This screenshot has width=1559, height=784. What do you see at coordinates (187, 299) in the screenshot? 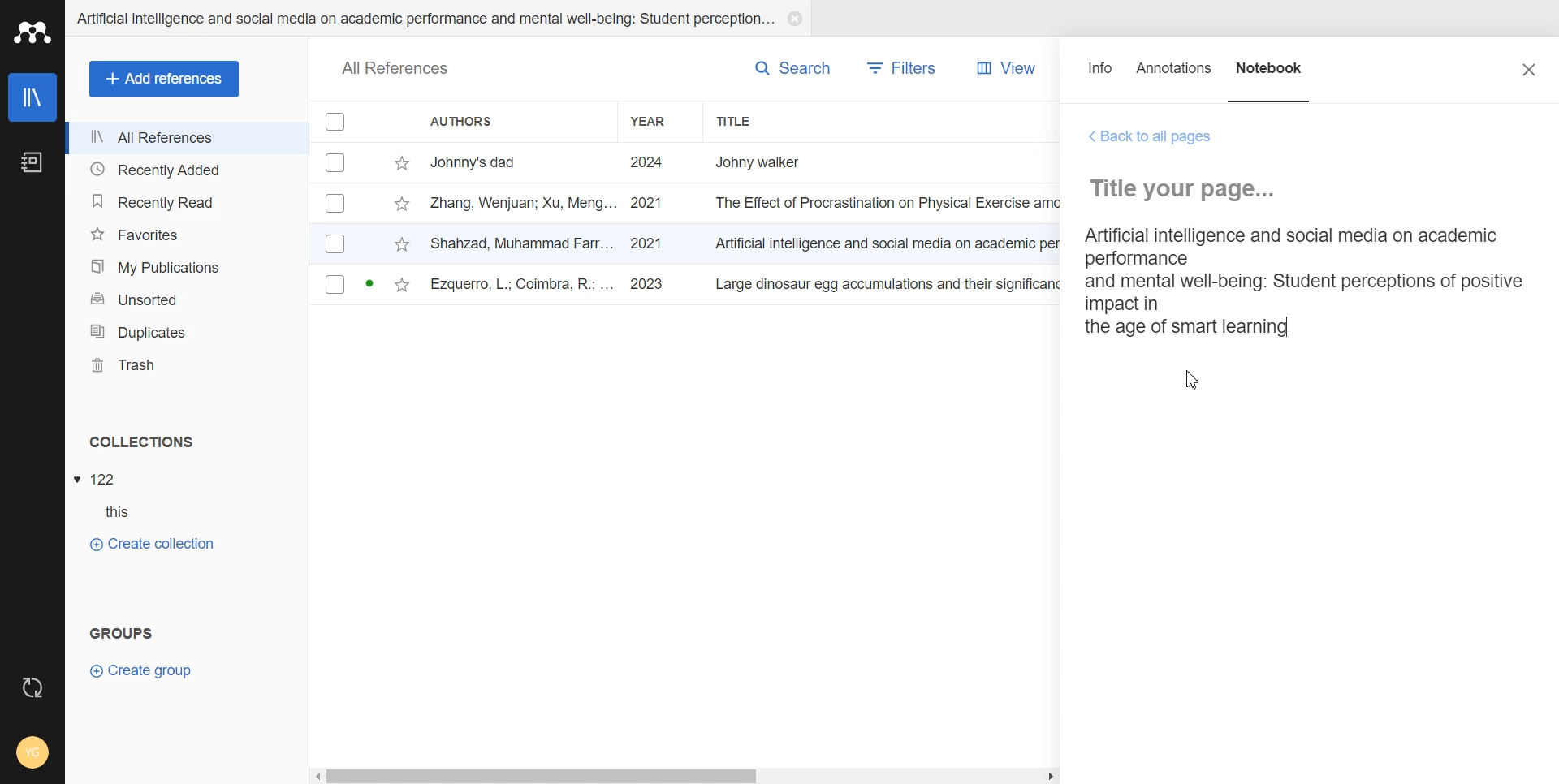
I see `Unsorted` at bounding box center [187, 299].